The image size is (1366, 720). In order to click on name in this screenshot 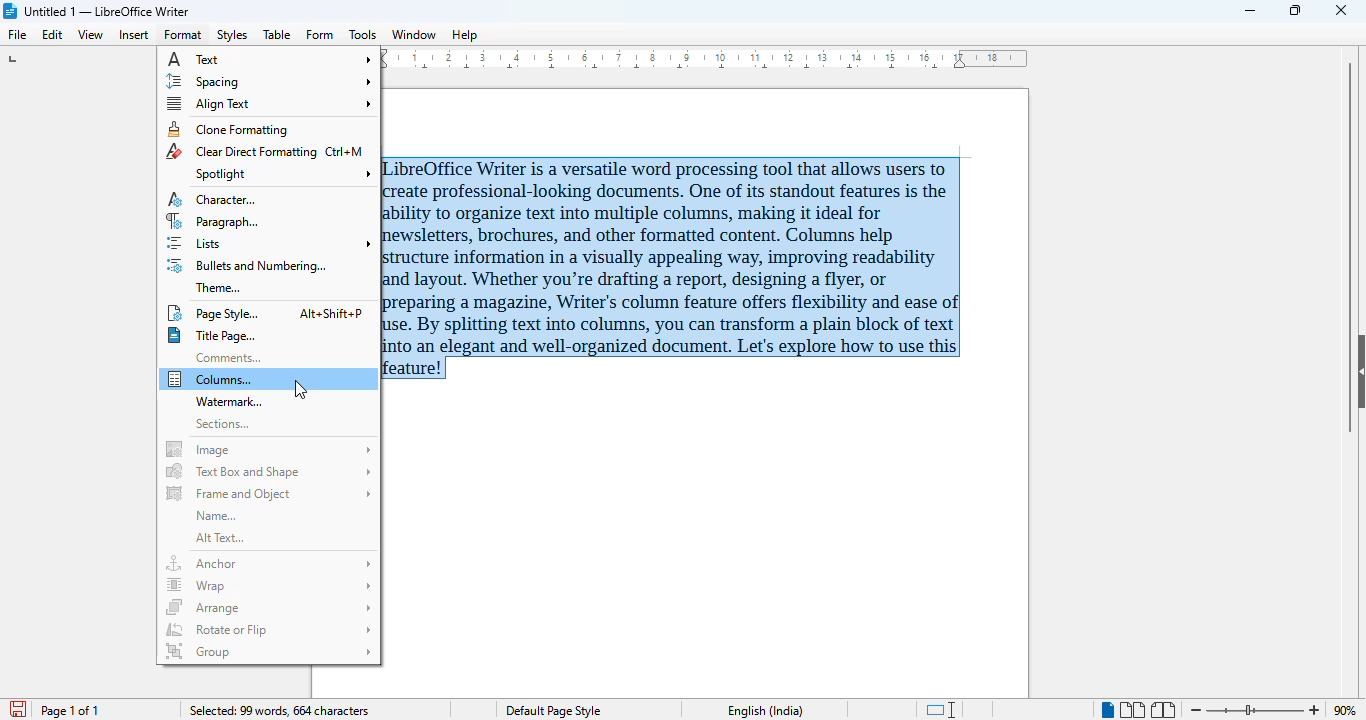, I will do `click(216, 516)`.